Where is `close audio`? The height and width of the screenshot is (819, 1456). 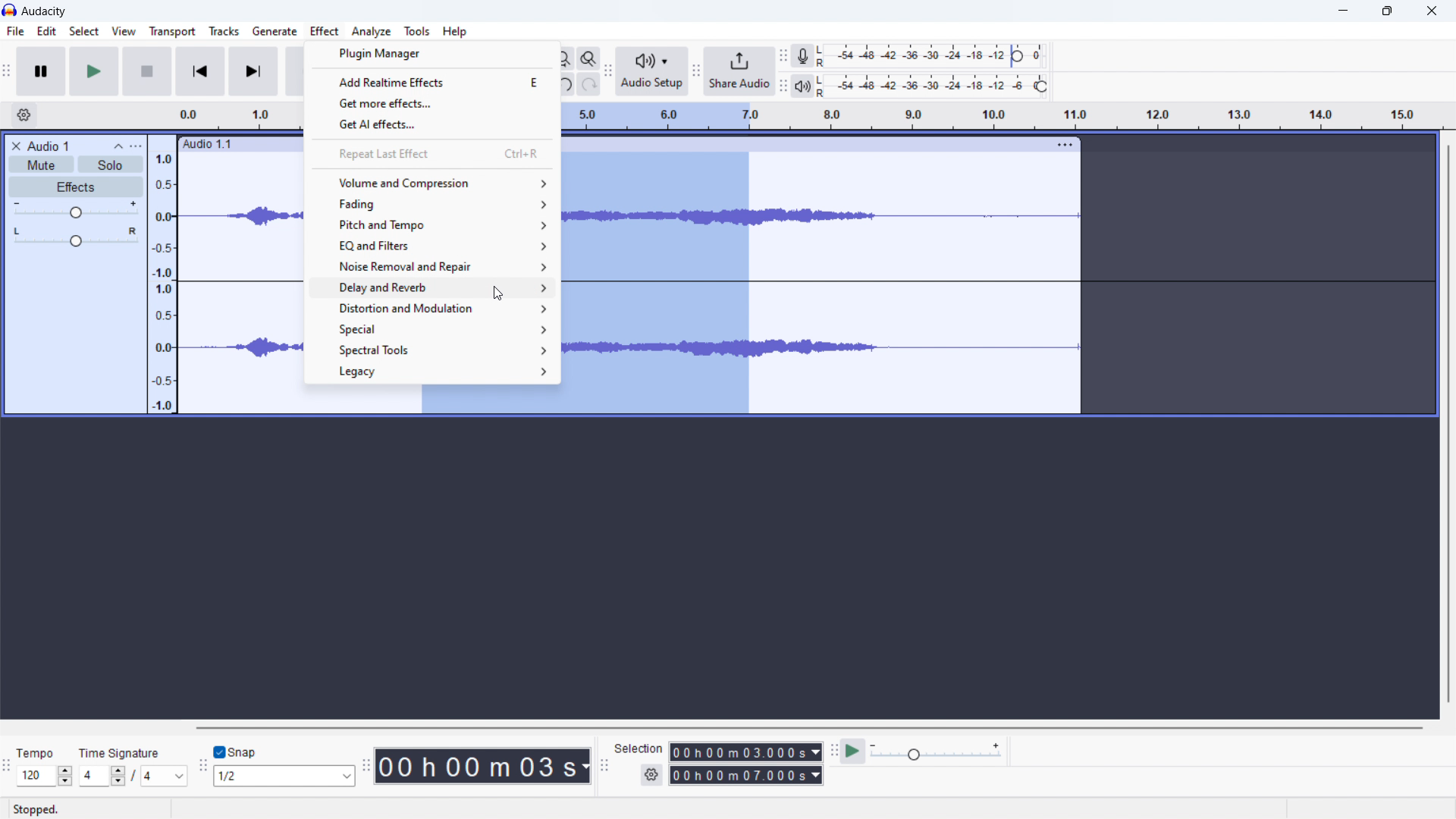
close audio is located at coordinates (14, 144).